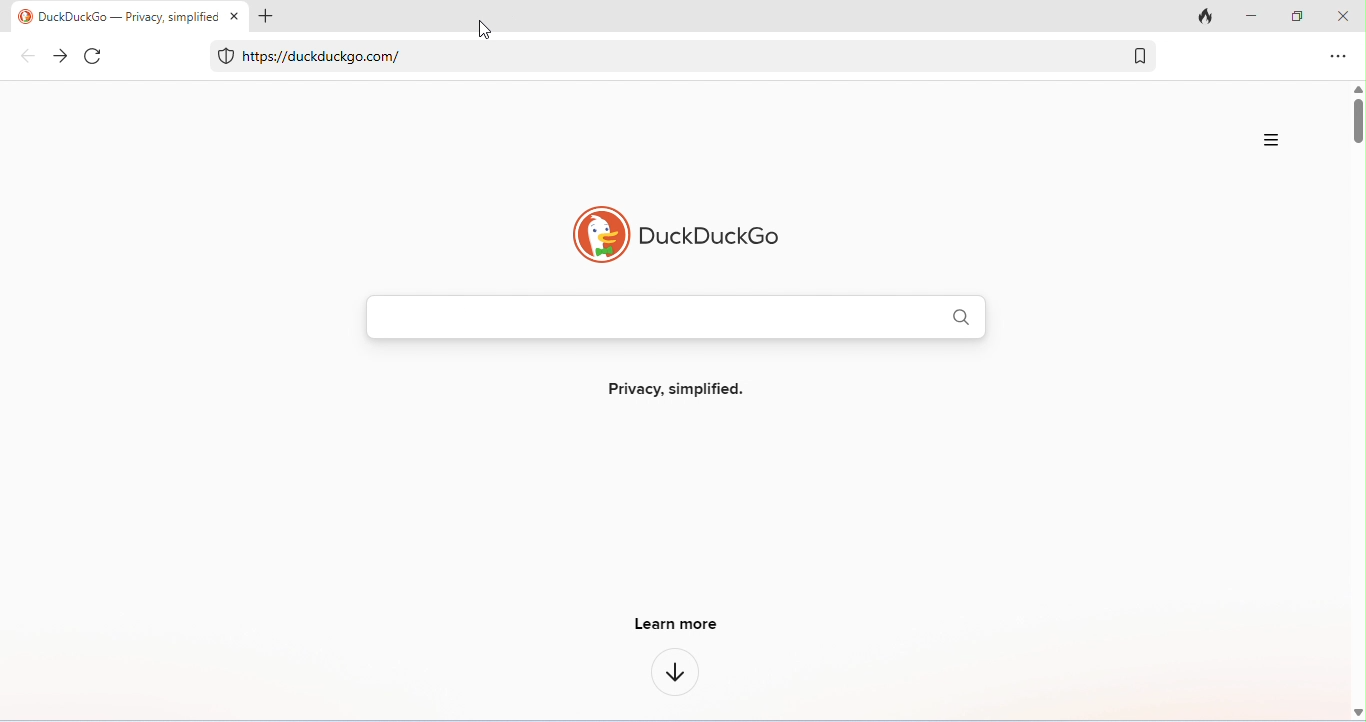 Image resolution: width=1366 pixels, height=722 pixels. What do you see at coordinates (97, 56) in the screenshot?
I see `color change in refresh` at bounding box center [97, 56].